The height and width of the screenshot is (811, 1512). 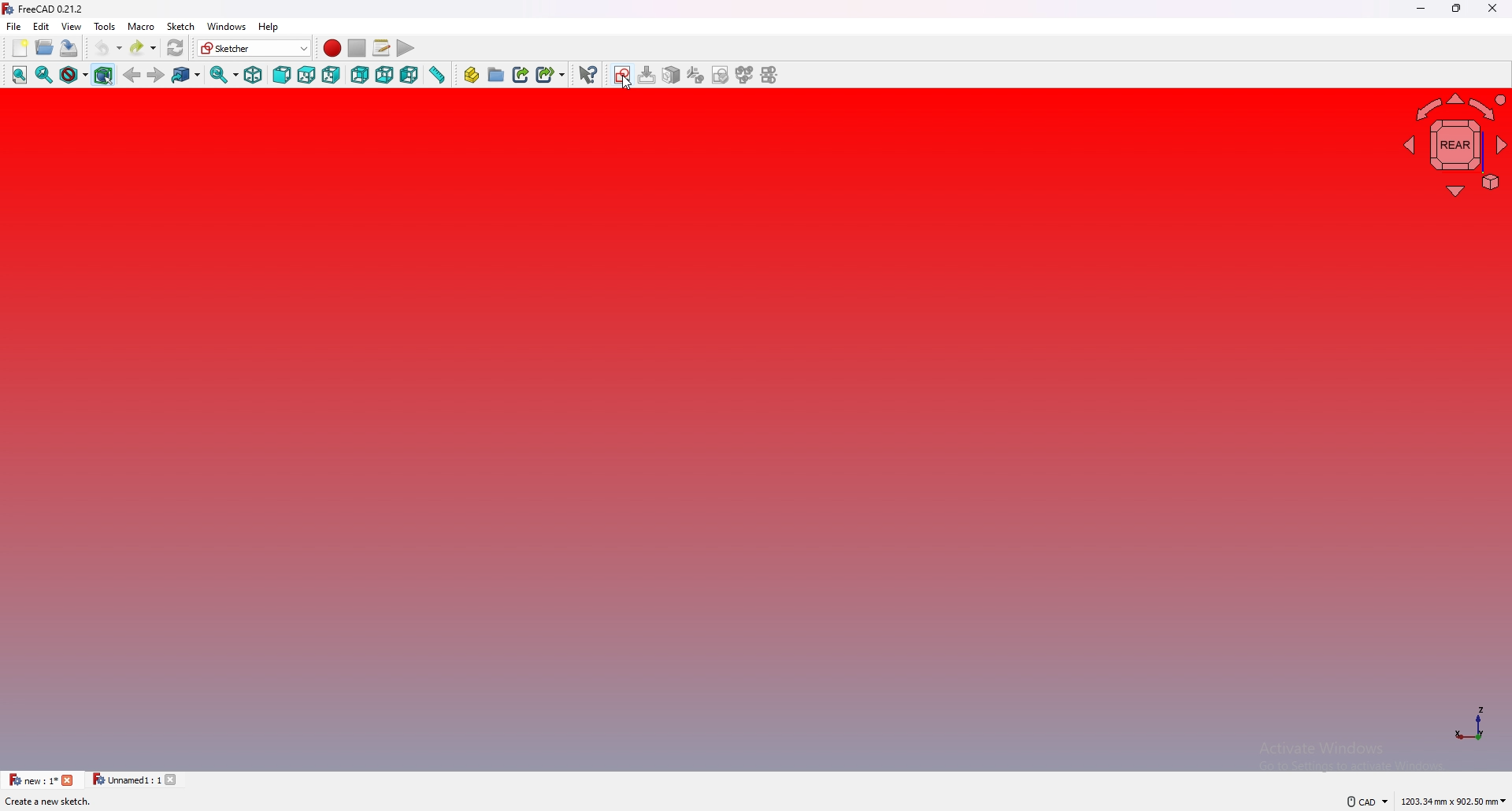 I want to click on sketches, so click(x=744, y=75).